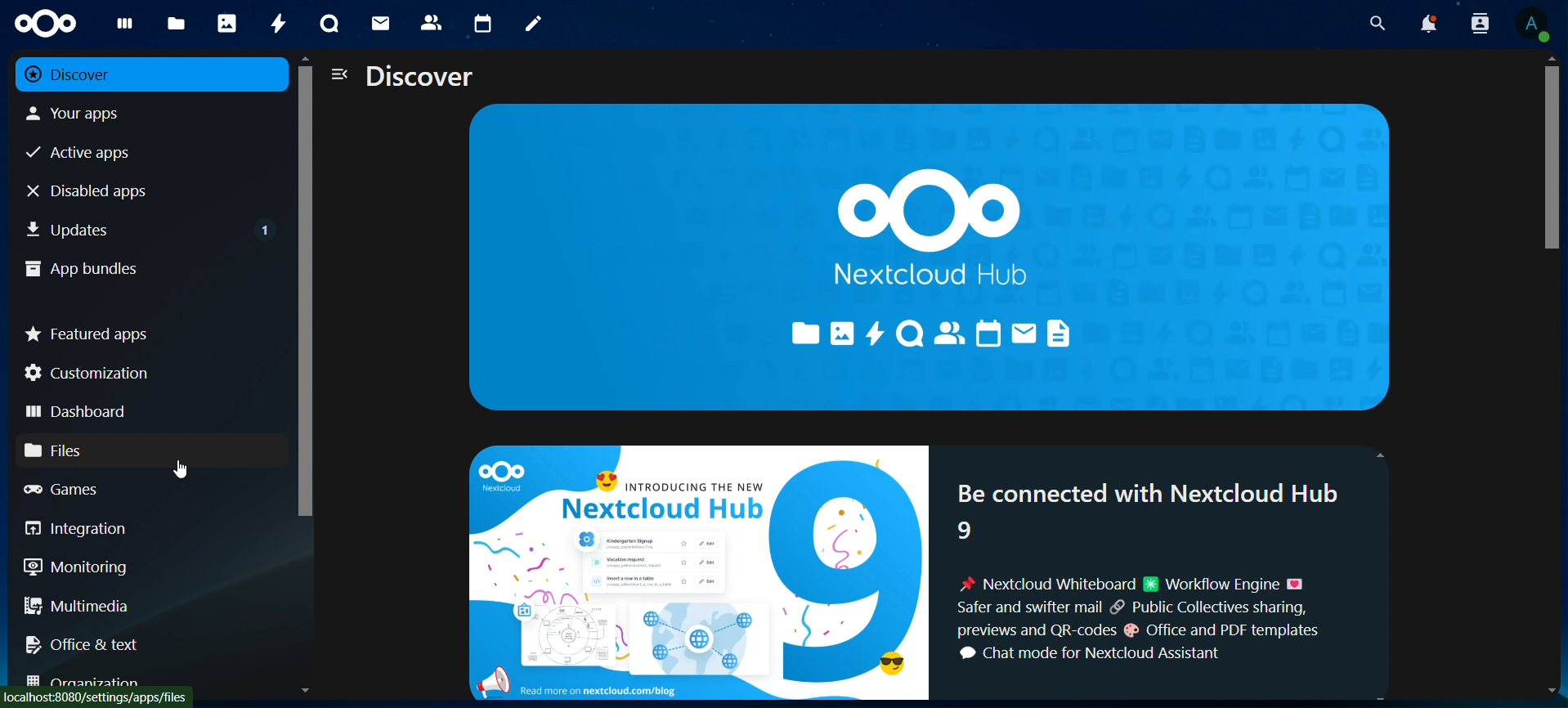 This screenshot has width=1568, height=708. What do you see at coordinates (124, 27) in the screenshot?
I see `dashboard` at bounding box center [124, 27].